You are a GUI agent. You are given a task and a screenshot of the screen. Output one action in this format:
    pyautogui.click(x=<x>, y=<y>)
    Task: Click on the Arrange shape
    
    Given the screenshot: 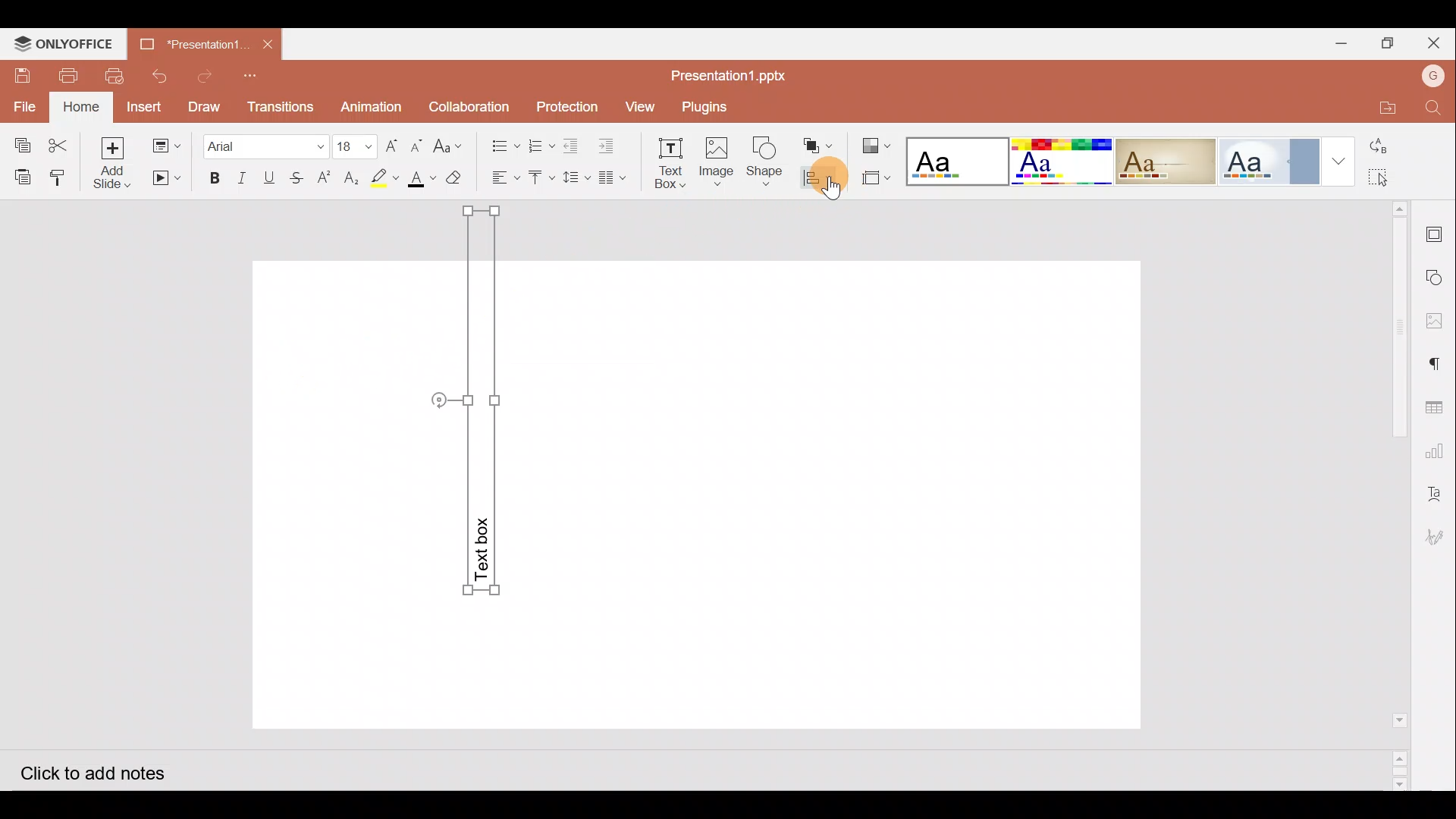 What is the action you would take?
    pyautogui.click(x=820, y=146)
    